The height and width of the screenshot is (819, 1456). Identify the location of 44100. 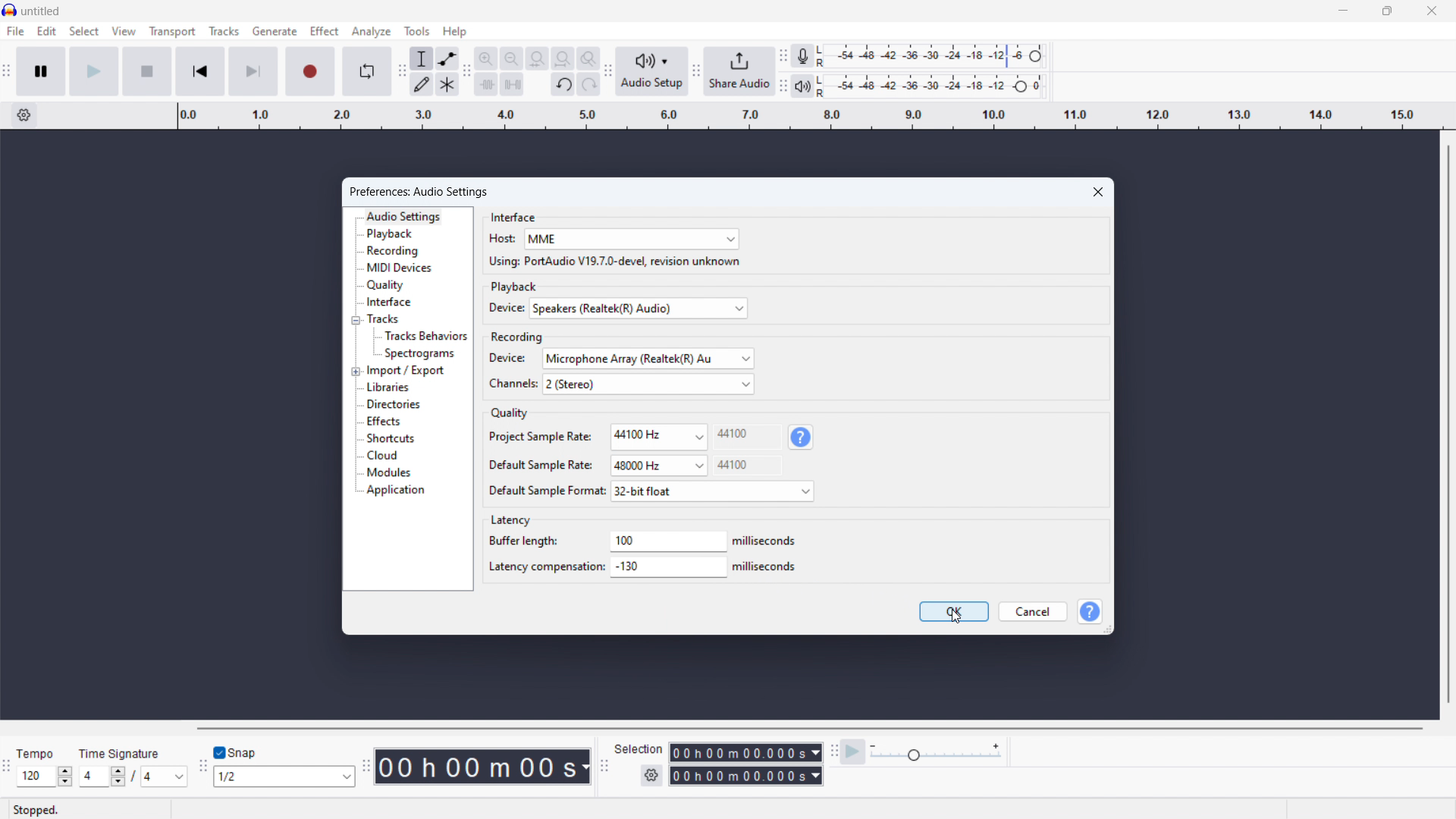
(748, 465).